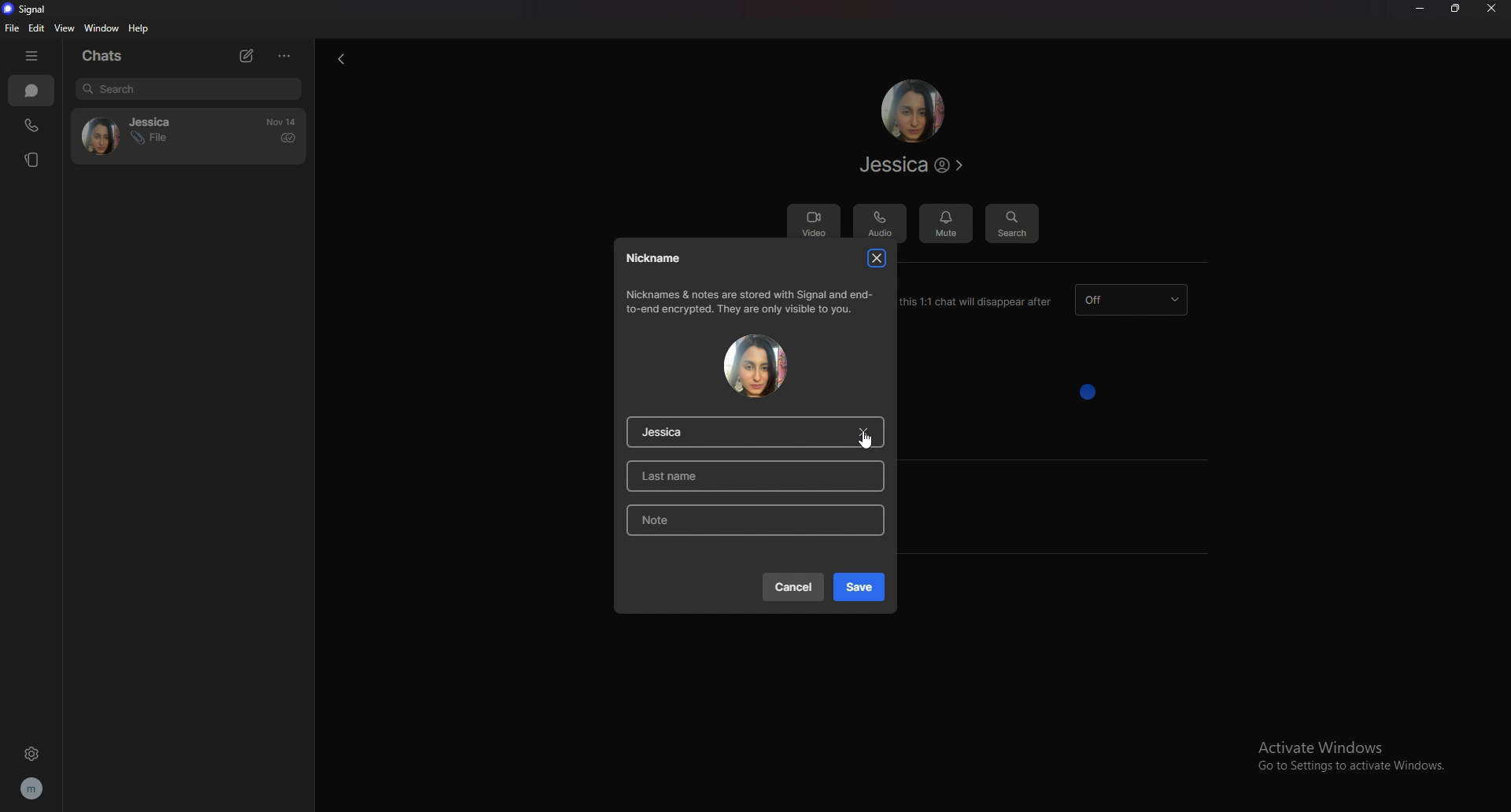  What do you see at coordinates (138, 29) in the screenshot?
I see `help` at bounding box center [138, 29].